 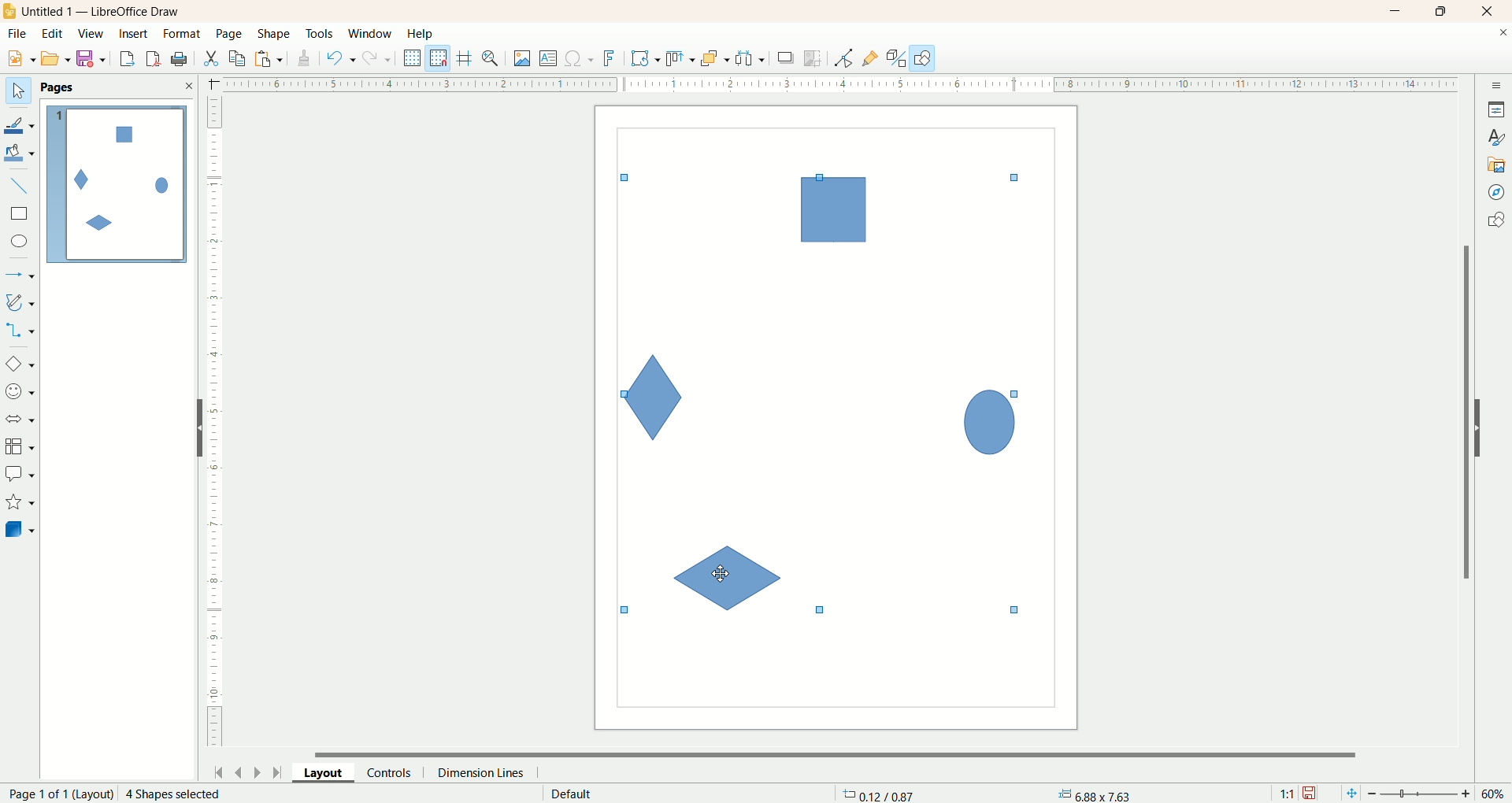 I want to click on coordinates, so click(x=880, y=794).